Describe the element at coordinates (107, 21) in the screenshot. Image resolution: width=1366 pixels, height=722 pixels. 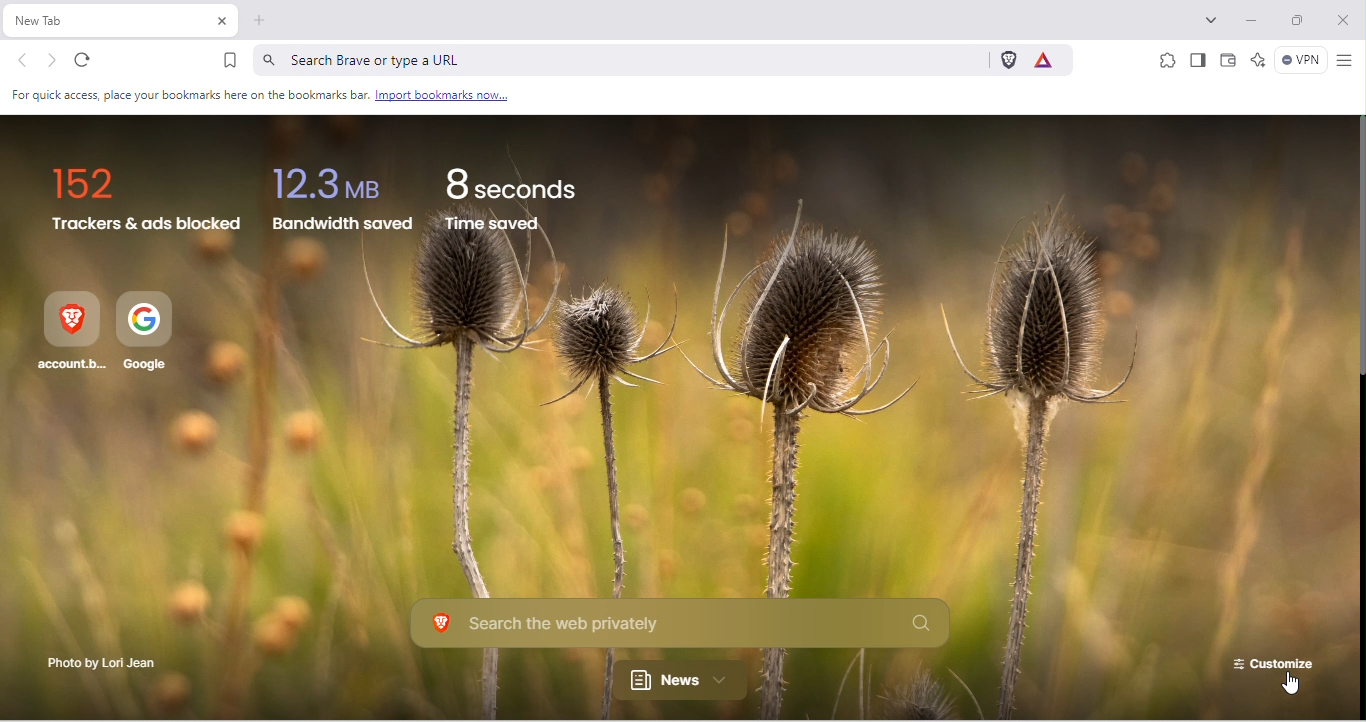
I see `New tab` at that location.